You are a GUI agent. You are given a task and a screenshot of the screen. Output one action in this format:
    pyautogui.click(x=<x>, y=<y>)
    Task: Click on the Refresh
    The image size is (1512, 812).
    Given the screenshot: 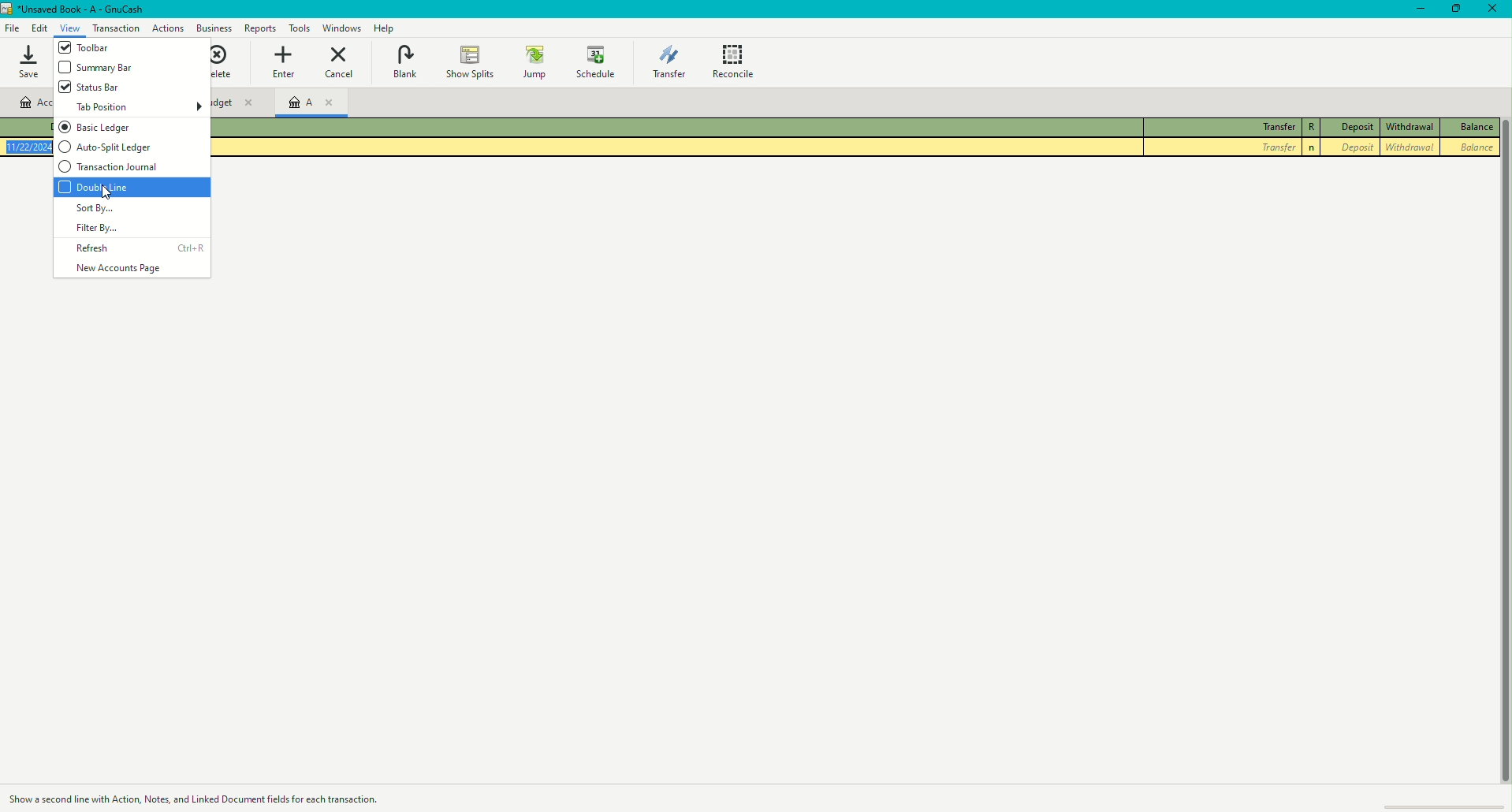 What is the action you would take?
    pyautogui.click(x=134, y=249)
    